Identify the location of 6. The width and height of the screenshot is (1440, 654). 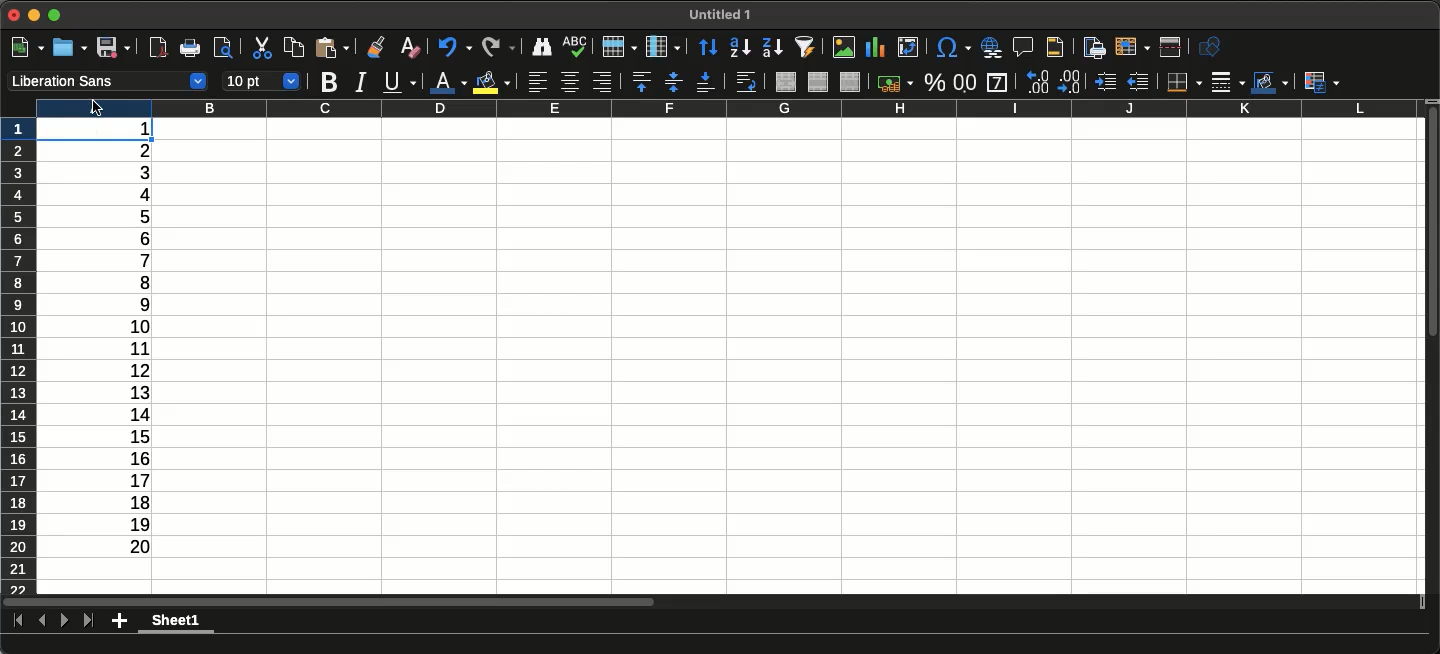
(134, 237).